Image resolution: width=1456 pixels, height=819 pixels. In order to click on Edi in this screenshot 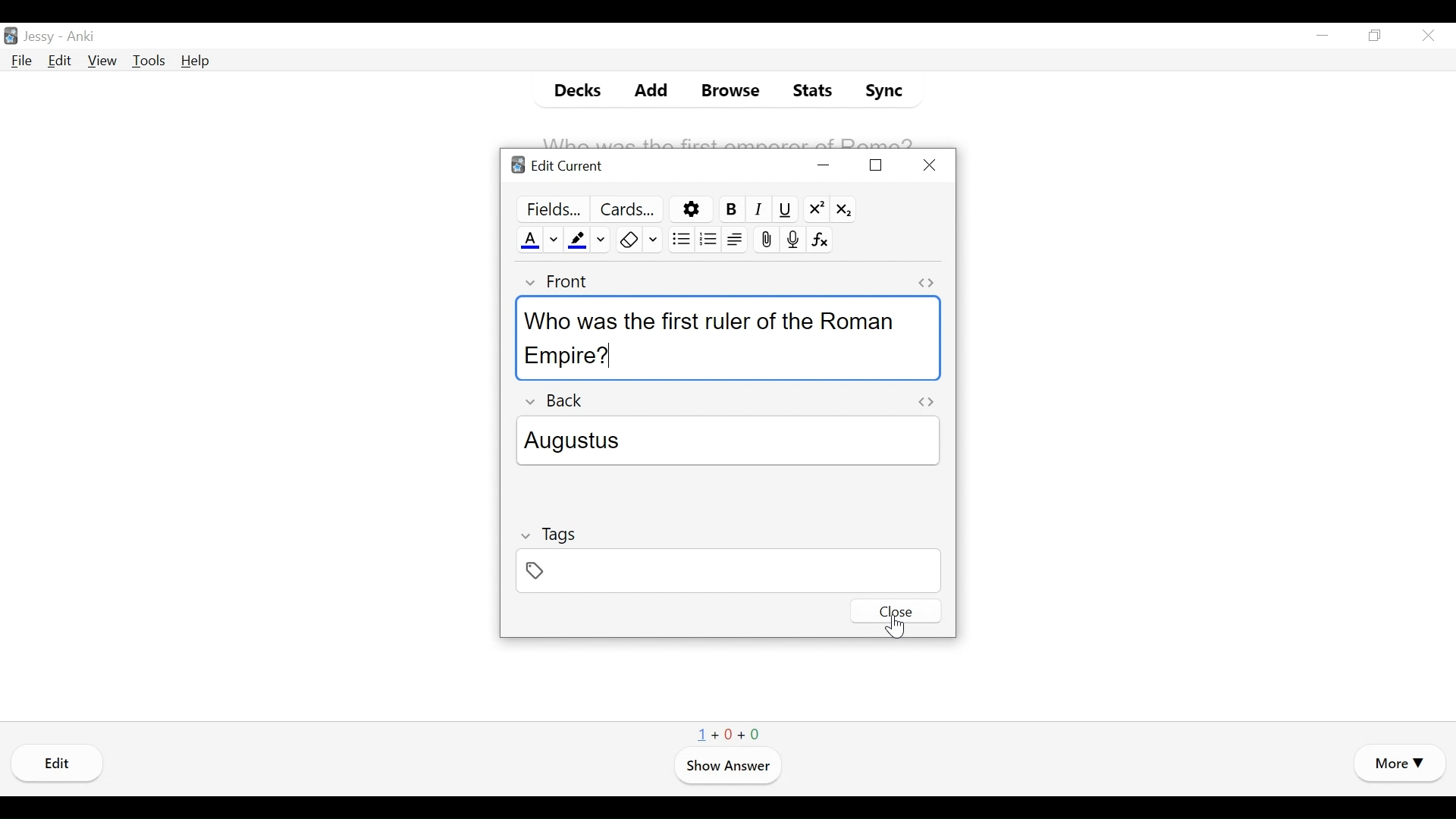, I will do `click(60, 764)`.